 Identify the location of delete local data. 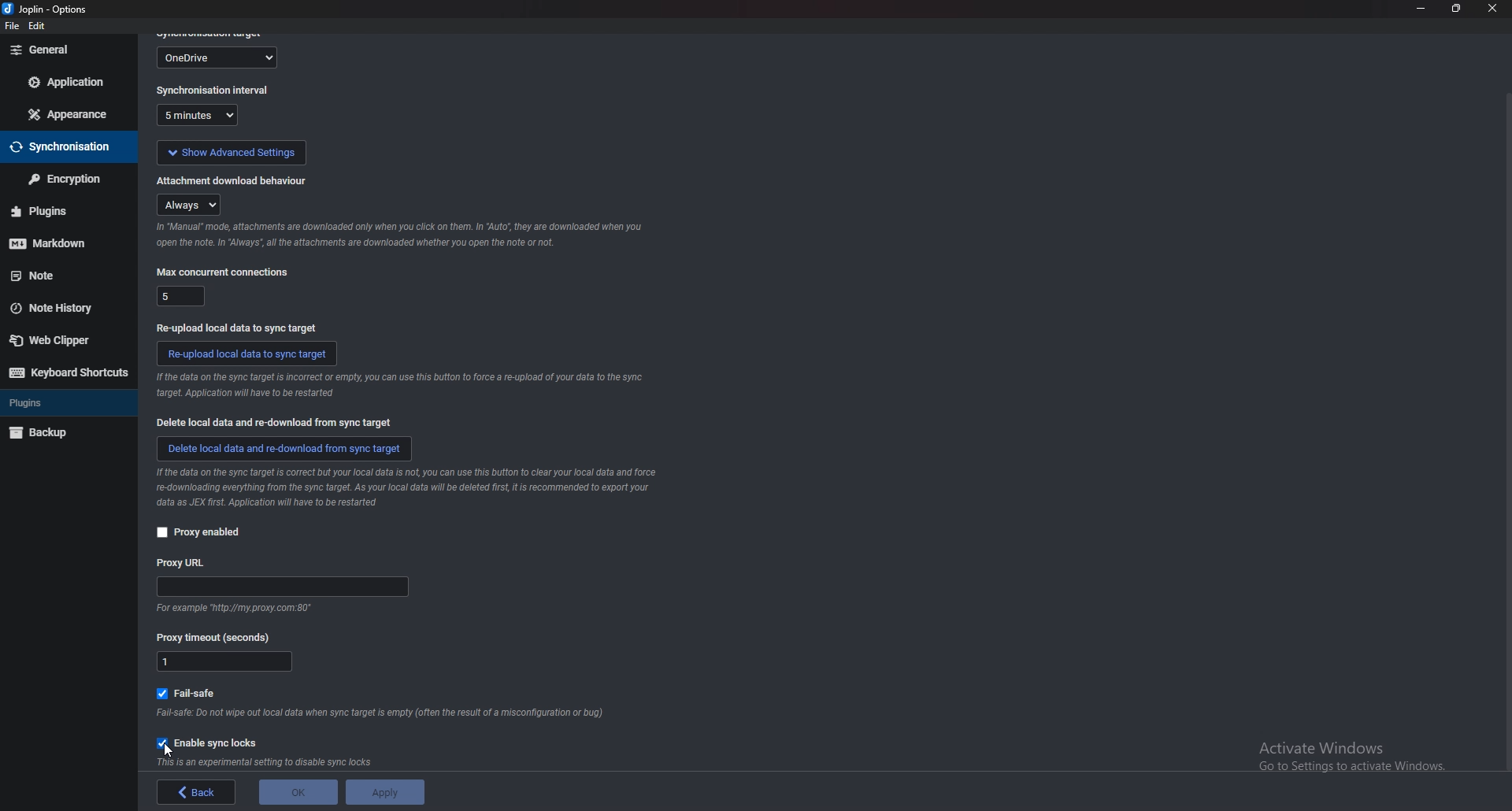
(279, 423).